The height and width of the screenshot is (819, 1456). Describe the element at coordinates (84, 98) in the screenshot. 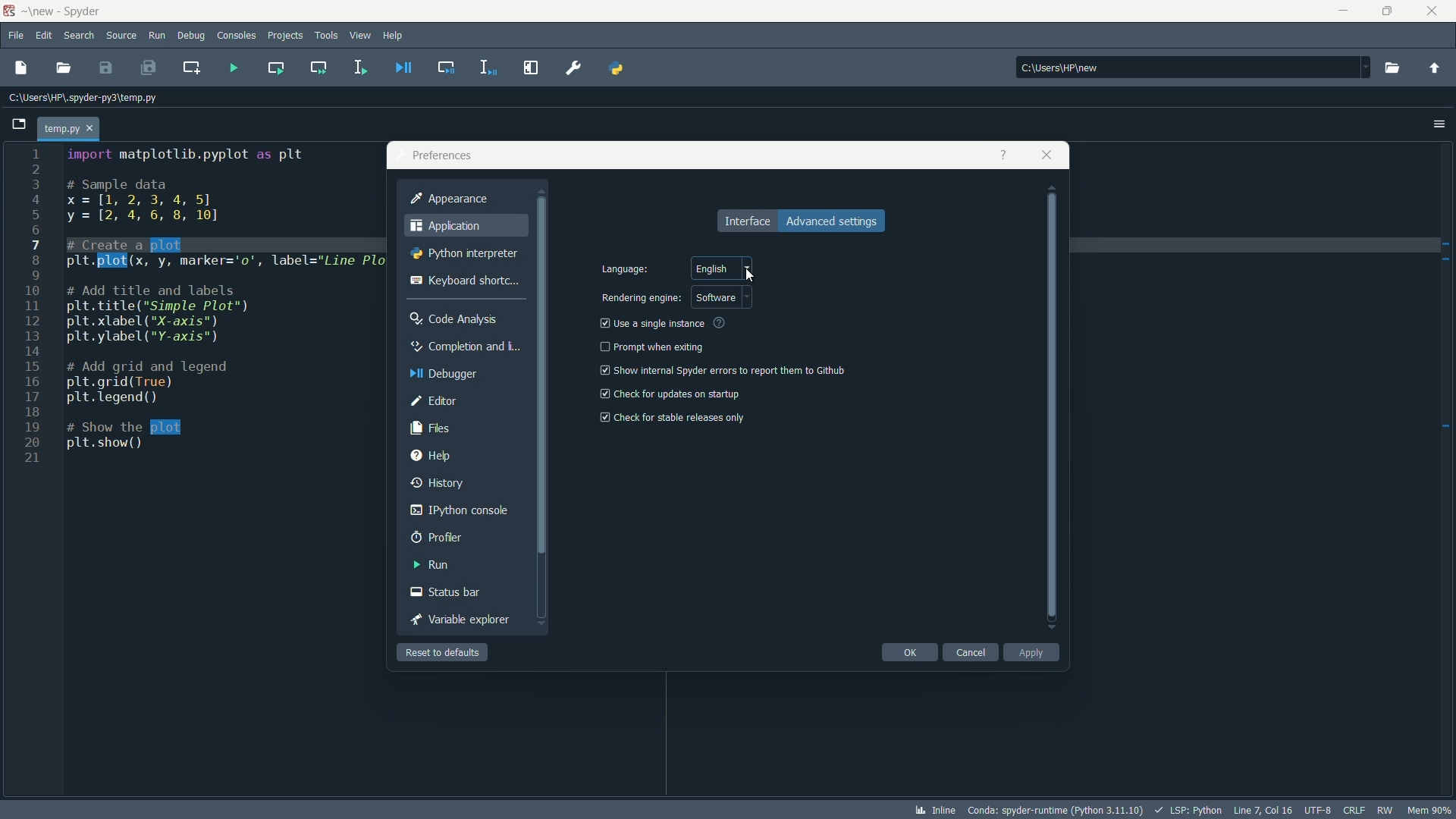

I see `C:\Users\HP\.spyder-py3\temp.py` at that location.